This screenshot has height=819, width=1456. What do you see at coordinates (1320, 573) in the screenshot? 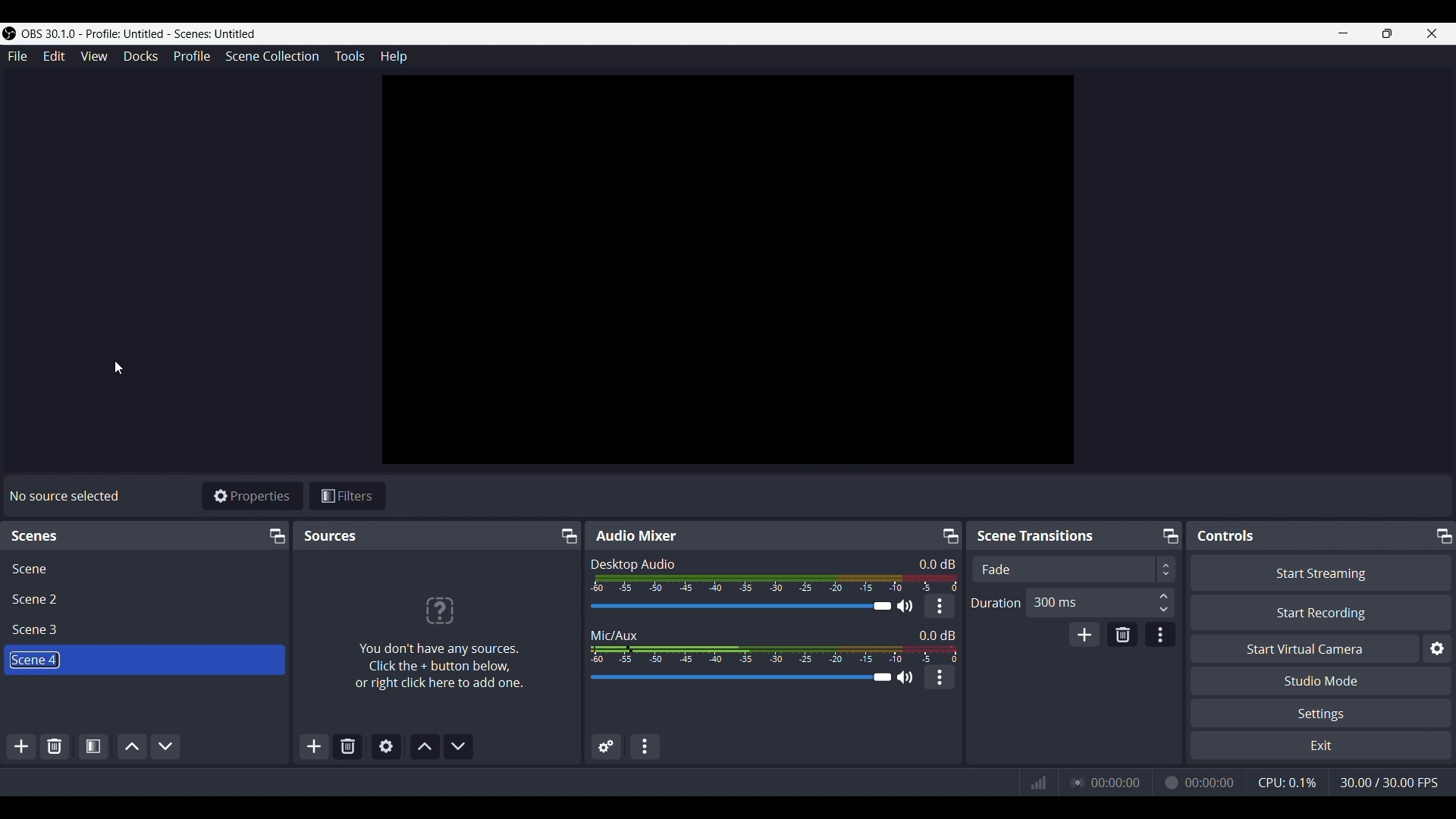
I see `Start Streaming` at bounding box center [1320, 573].